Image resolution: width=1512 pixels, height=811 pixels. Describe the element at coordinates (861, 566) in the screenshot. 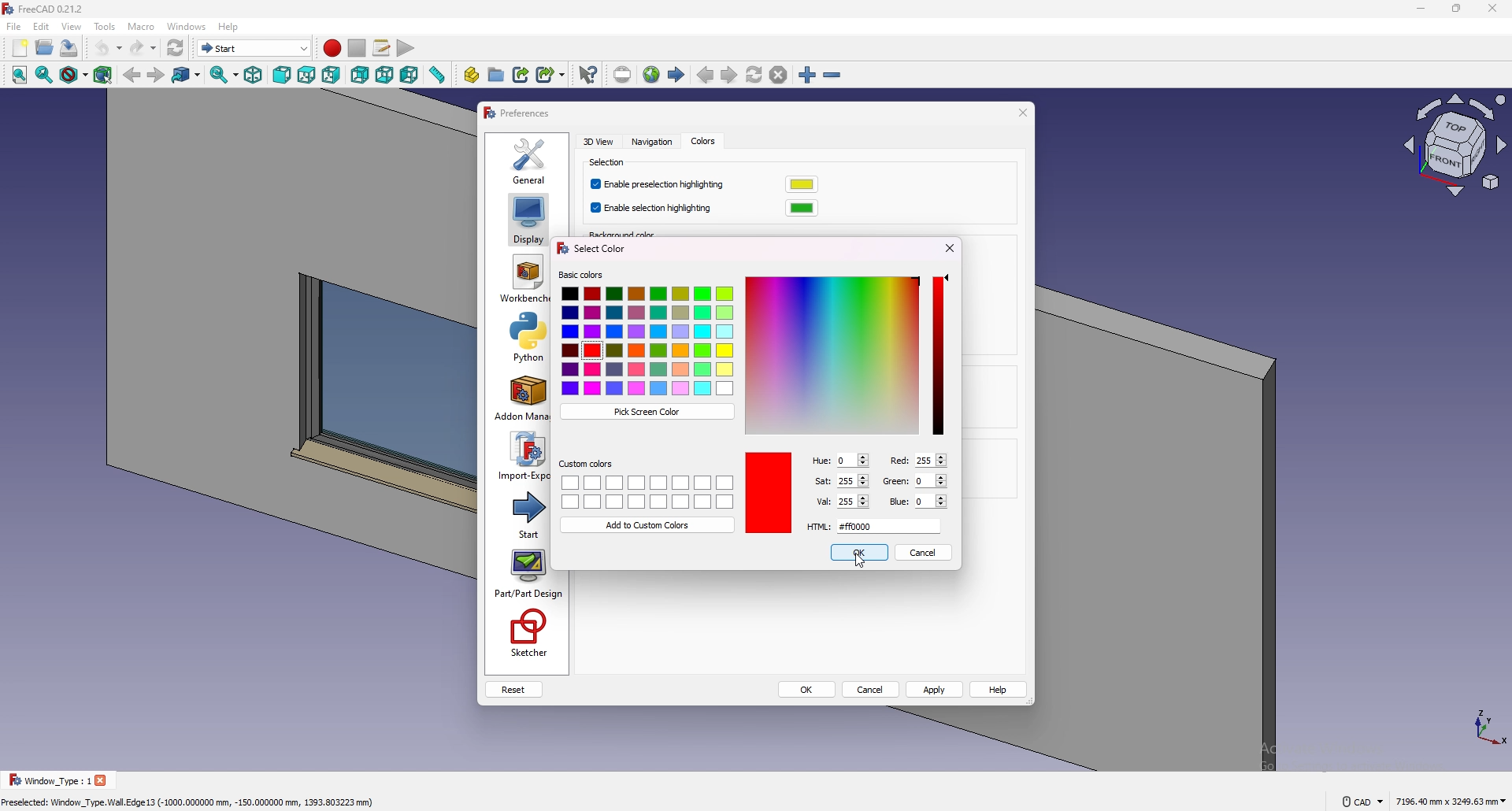

I see `cursor` at that location.